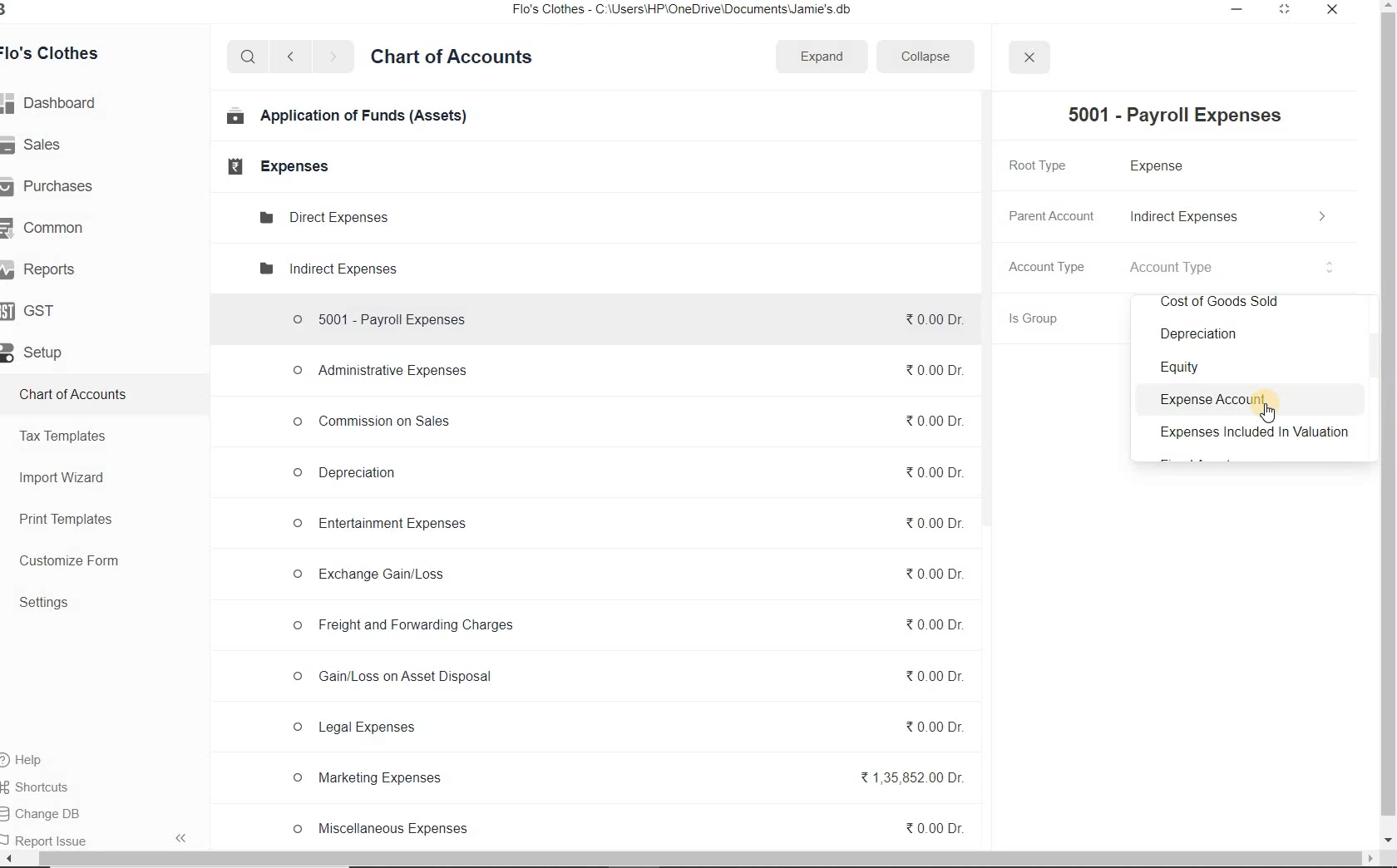 The width and height of the screenshot is (1397, 868). I want to click on Customize Form, so click(70, 560).